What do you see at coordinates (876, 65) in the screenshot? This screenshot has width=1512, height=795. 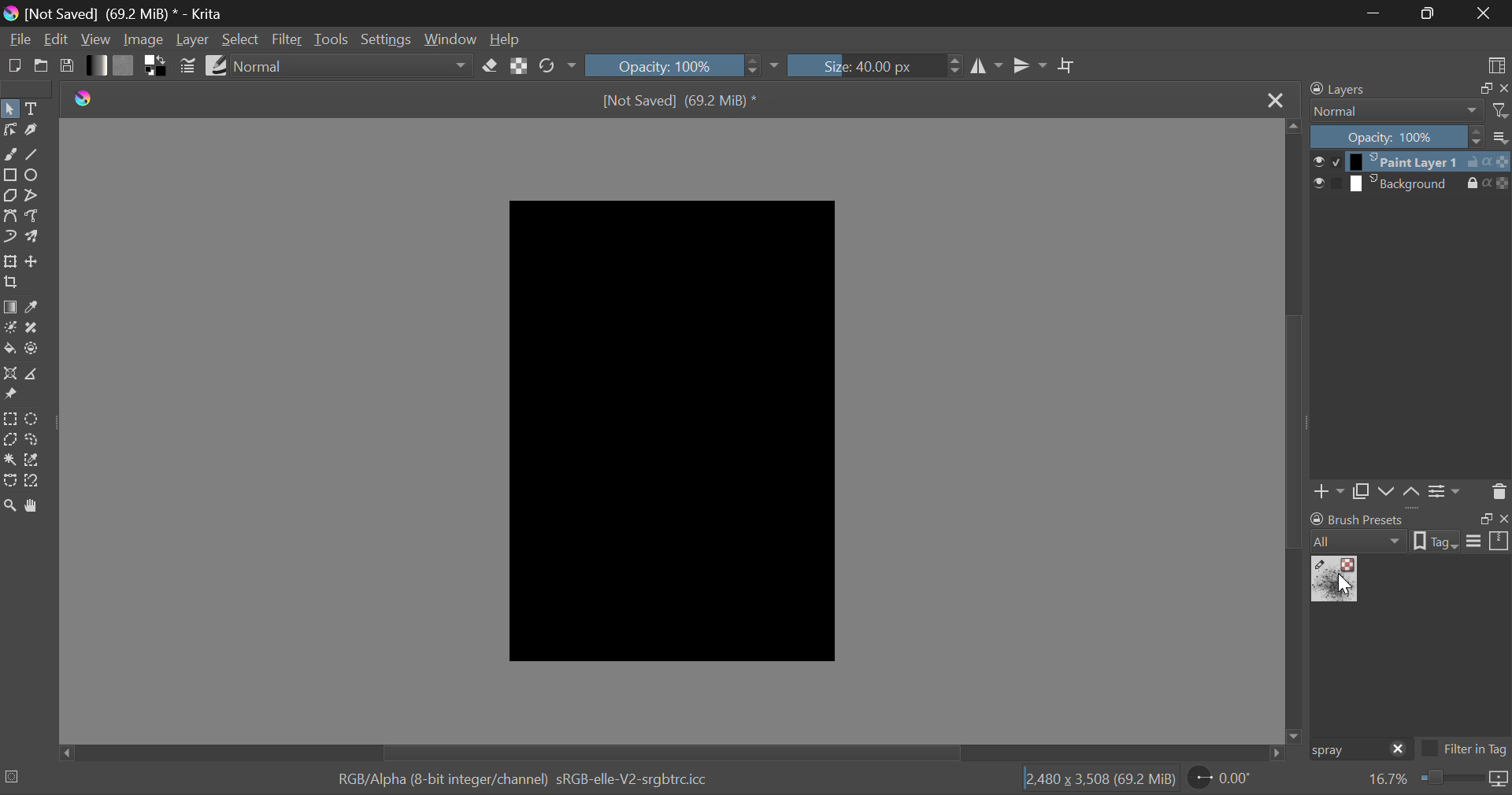 I see `Size: 40.00px` at bounding box center [876, 65].